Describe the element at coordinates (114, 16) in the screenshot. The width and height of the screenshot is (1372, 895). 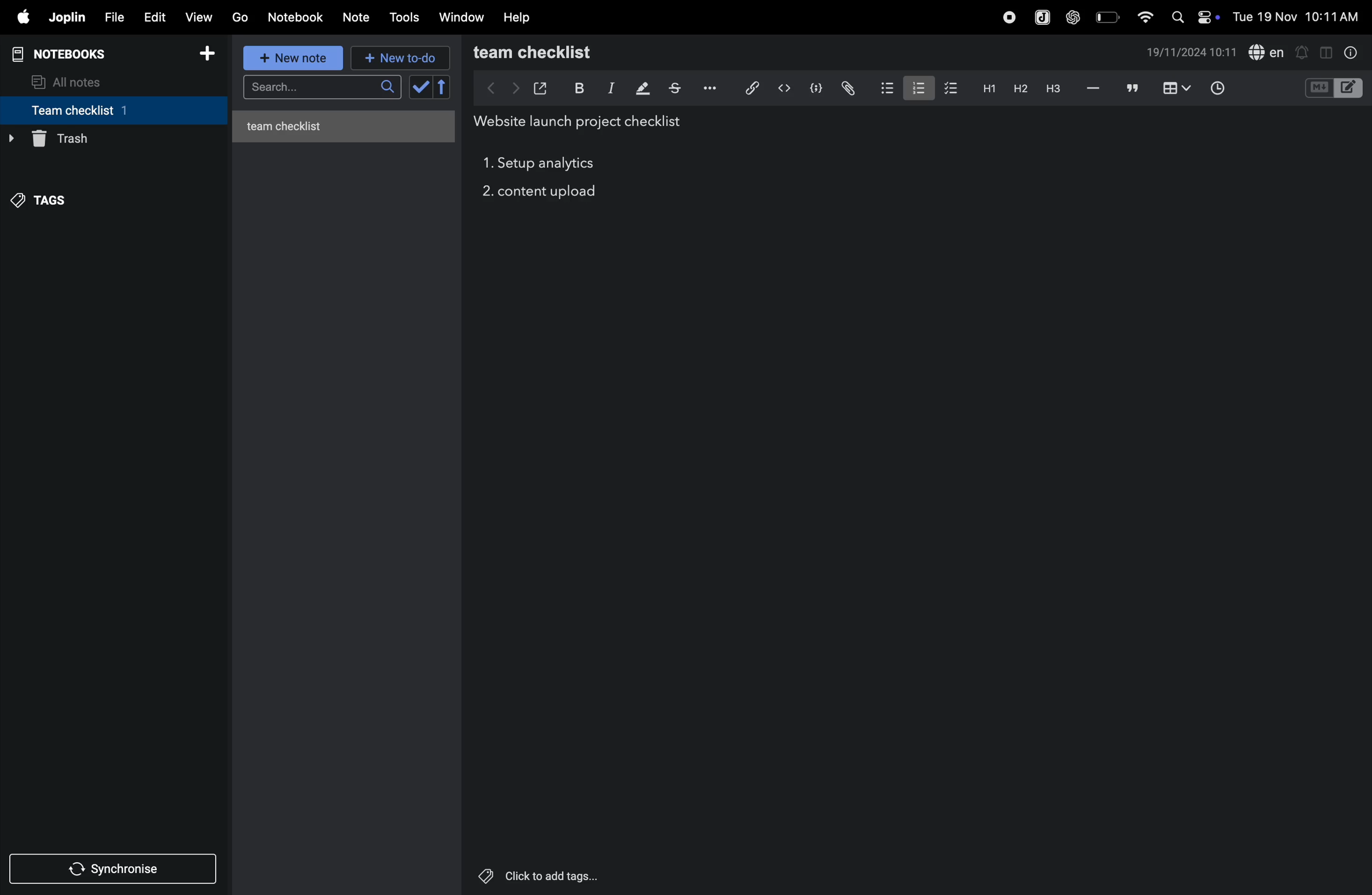
I see `file` at that location.